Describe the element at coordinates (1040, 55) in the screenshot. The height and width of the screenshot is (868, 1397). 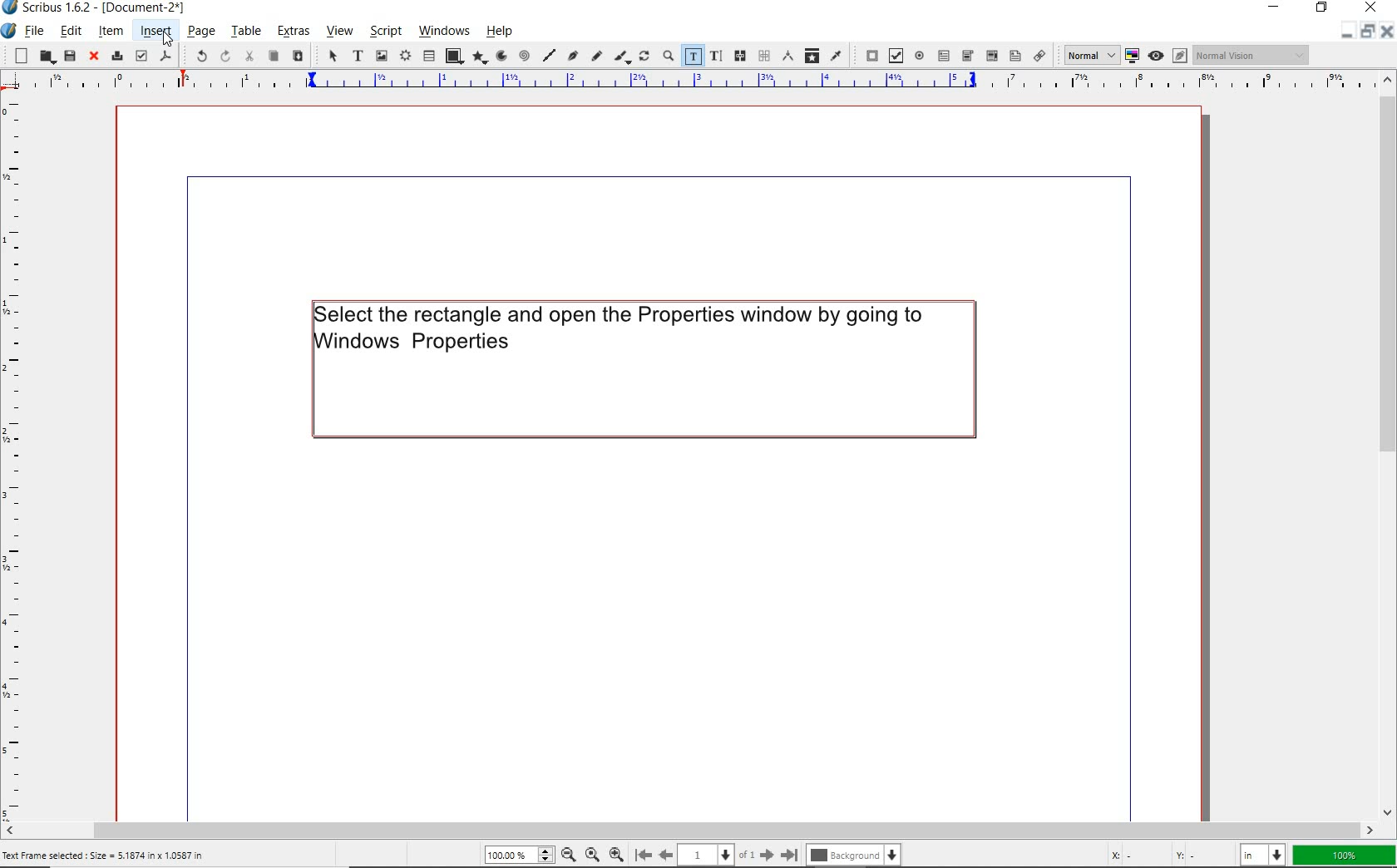
I see `link annotation` at that location.